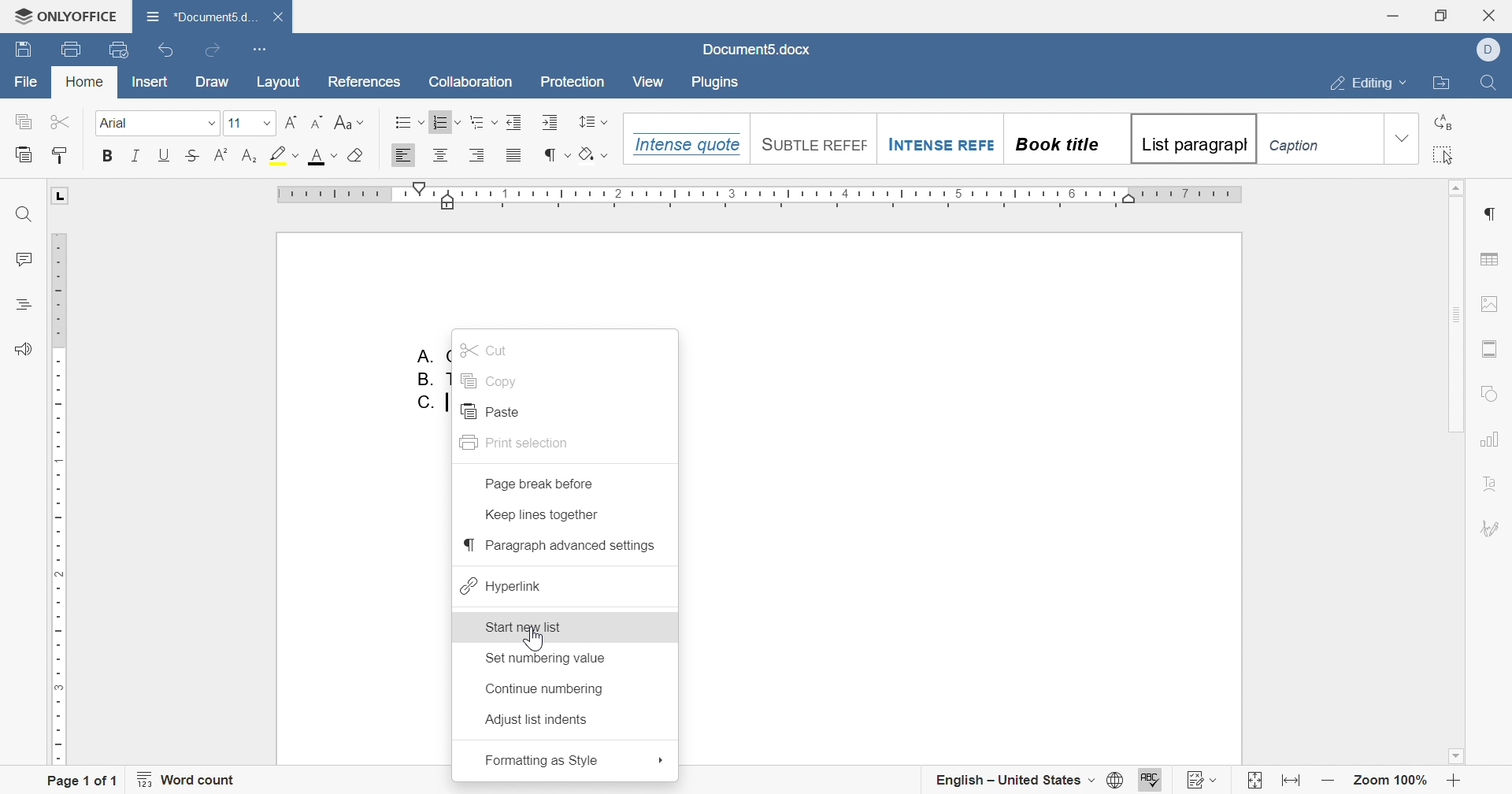 This screenshot has width=1512, height=794. What do you see at coordinates (544, 658) in the screenshot?
I see `set numbering value` at bounding box center [544, 658].